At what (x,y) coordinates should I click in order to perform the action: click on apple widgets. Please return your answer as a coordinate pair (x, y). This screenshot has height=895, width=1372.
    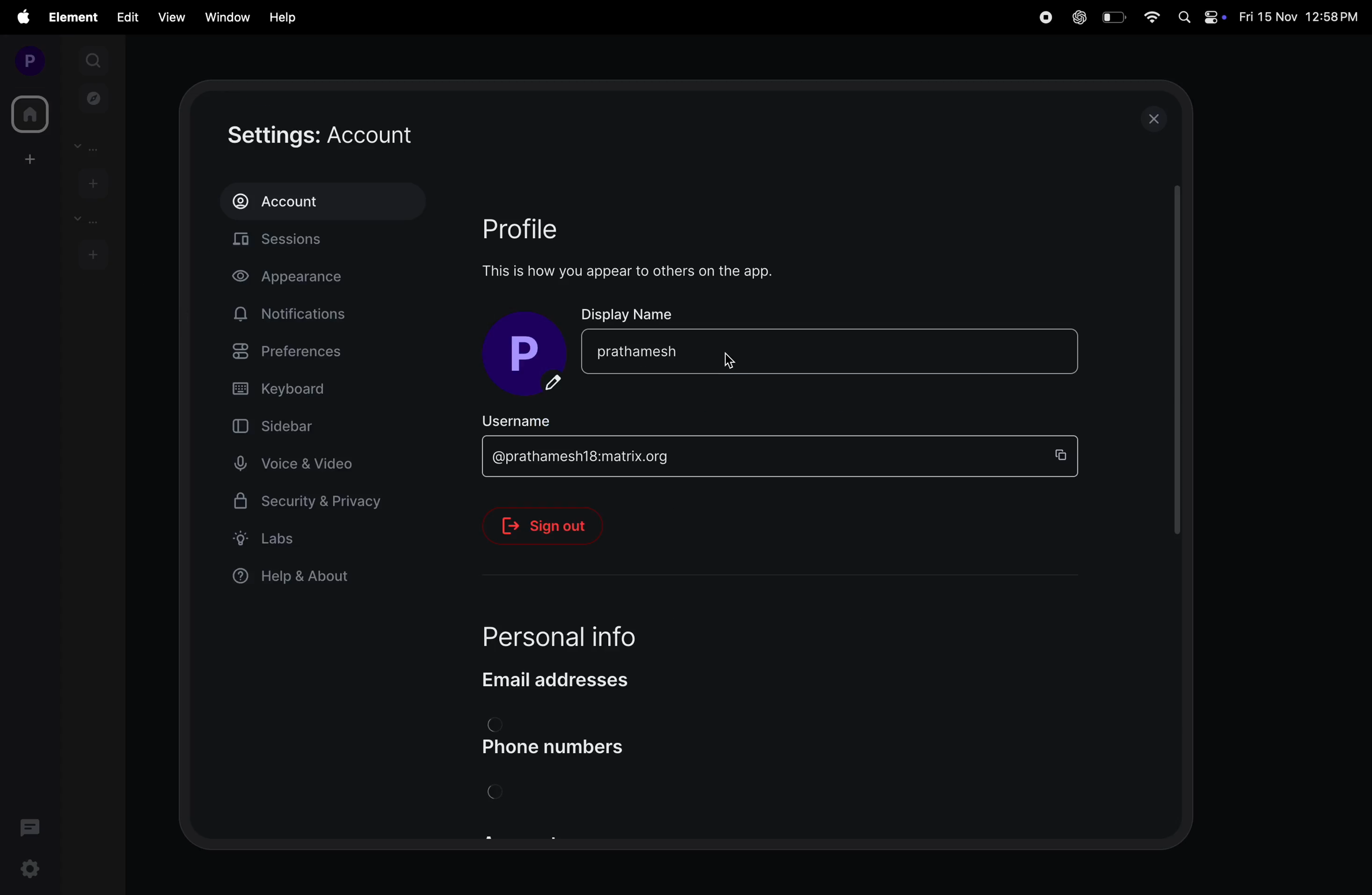
    Looking at the image, I should click on (1201, 16).